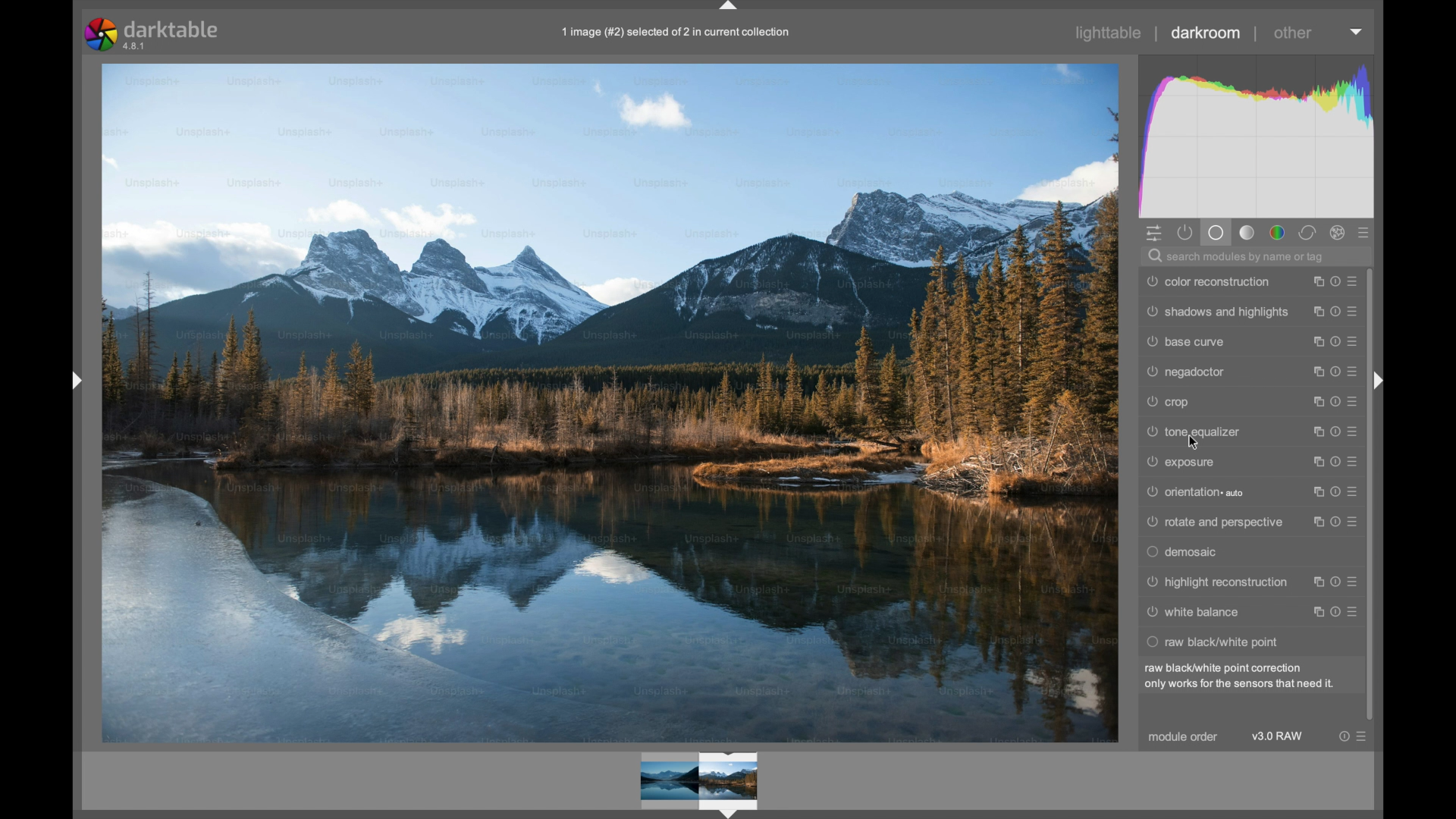 This screenshot has height=819, width=1456. I want to click on reset parameter, so click(1335, 372).